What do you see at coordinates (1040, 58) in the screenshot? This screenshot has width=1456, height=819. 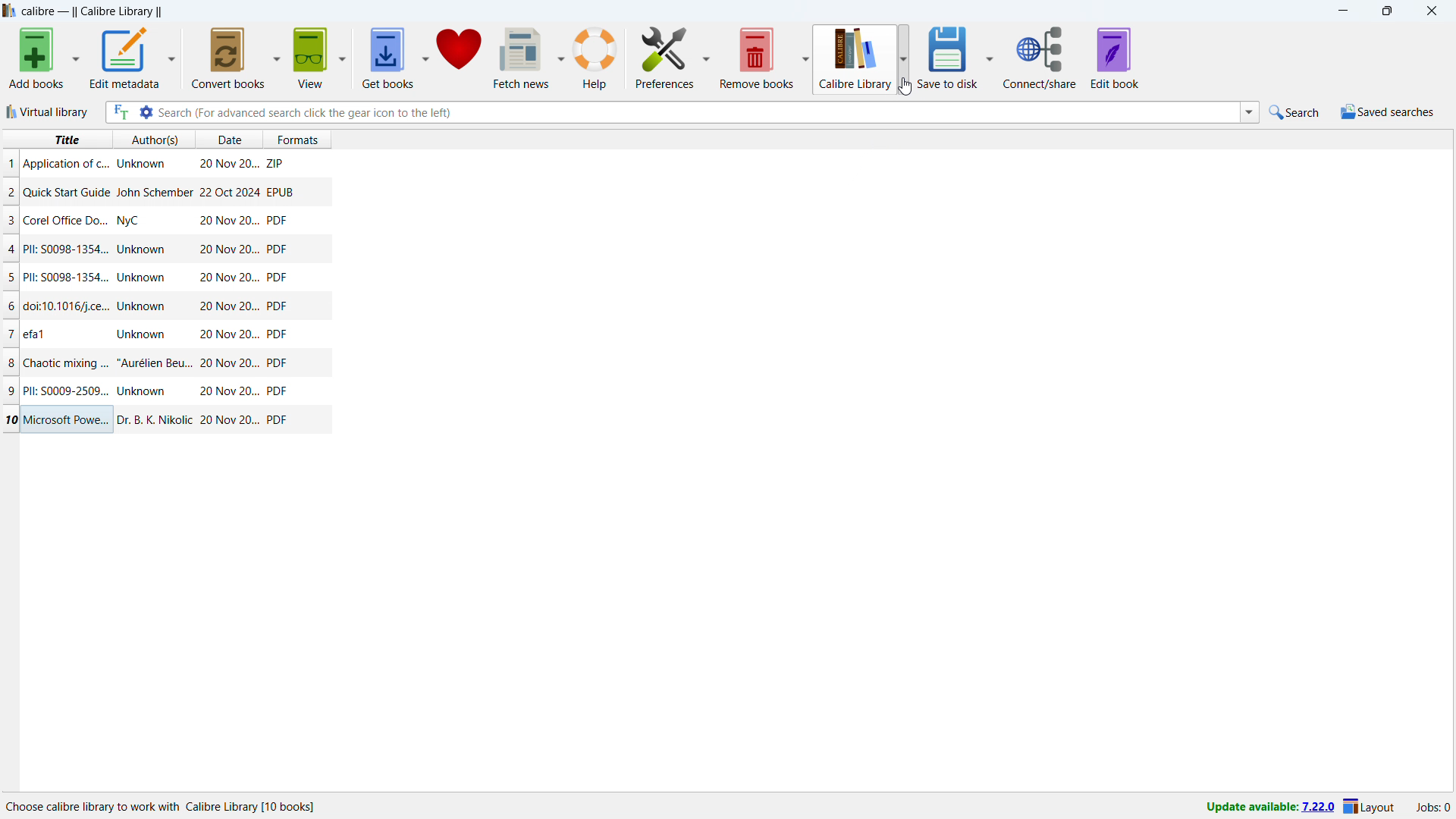 I see `connect/share` at bounding box center [1040, 58].